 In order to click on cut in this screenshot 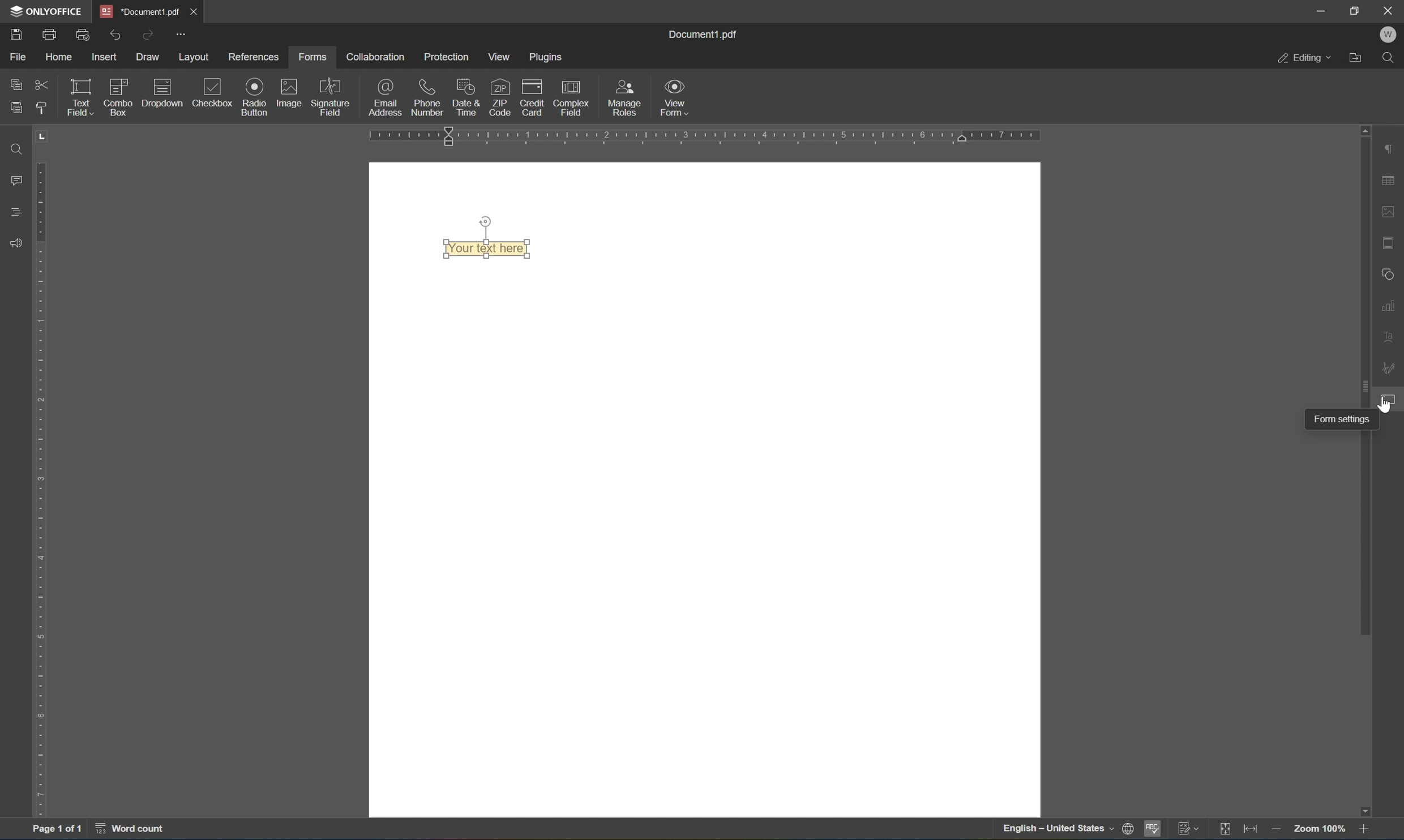, I will do `click(42, 84)`.